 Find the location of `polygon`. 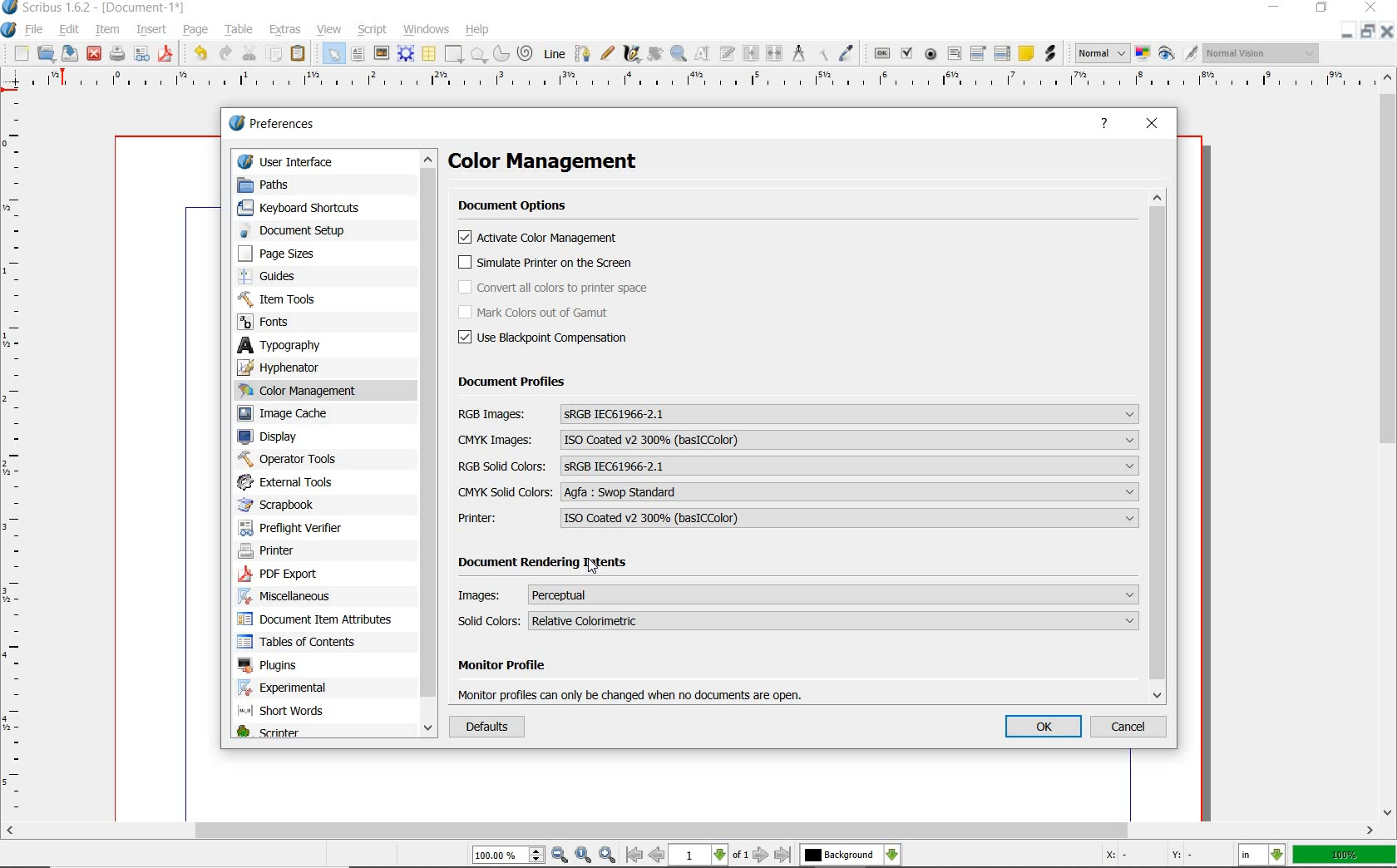

polygon is located at coordinates (479, 55).